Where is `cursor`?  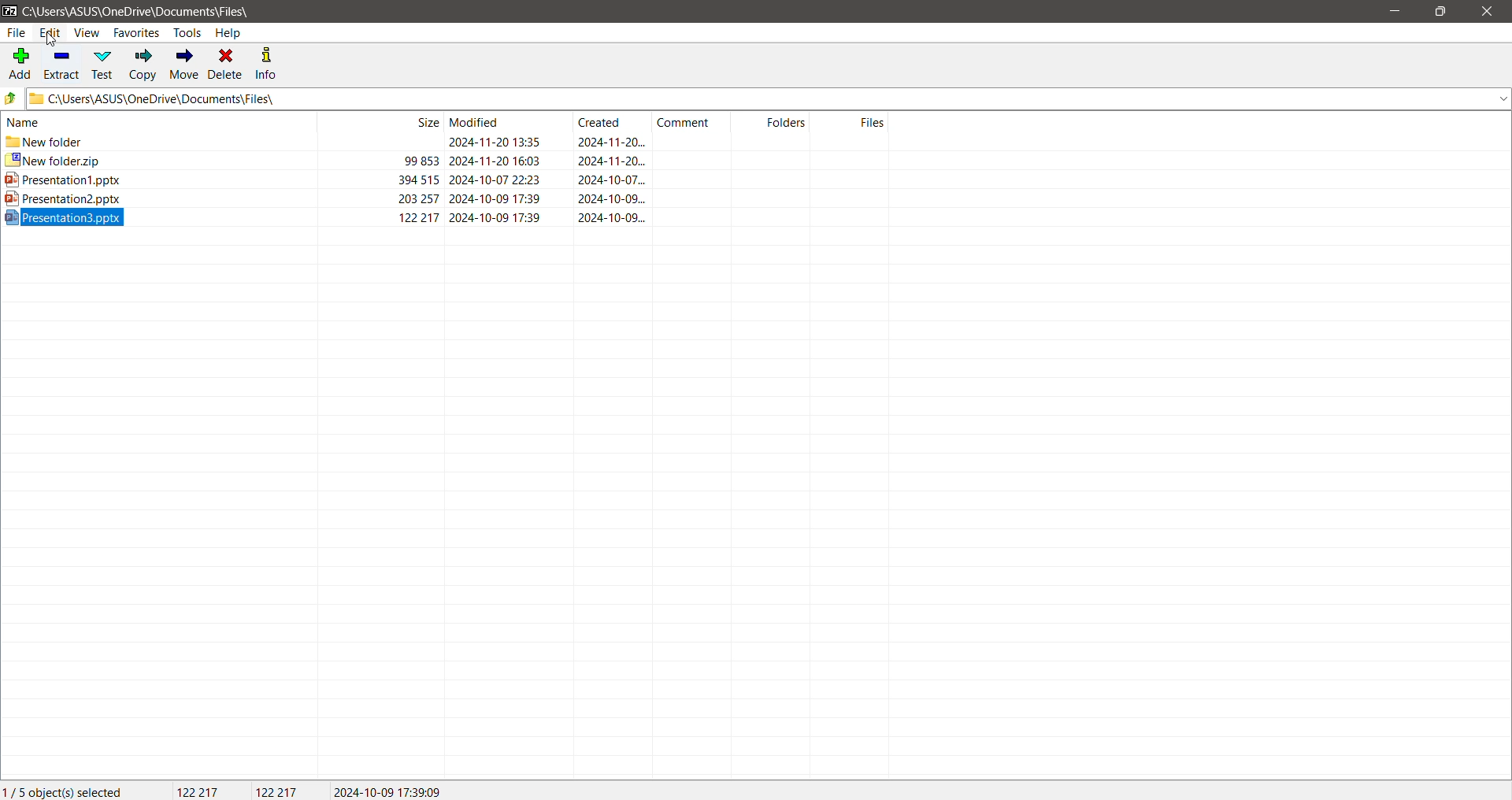 cursor is located at coordinates (49, 40).